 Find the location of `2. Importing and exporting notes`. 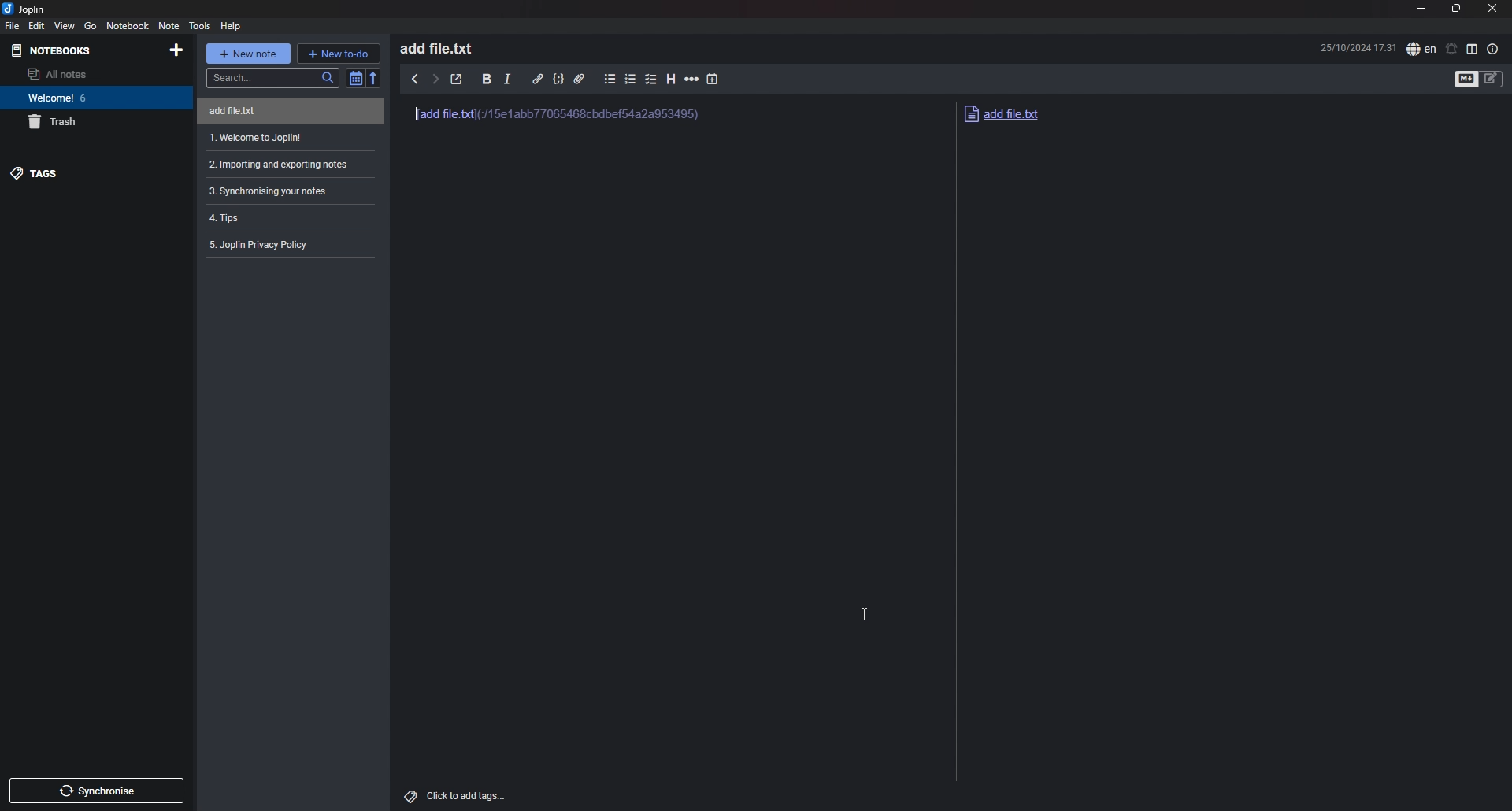

2. Importing and exporting notes is located at coordinates (287, 164).